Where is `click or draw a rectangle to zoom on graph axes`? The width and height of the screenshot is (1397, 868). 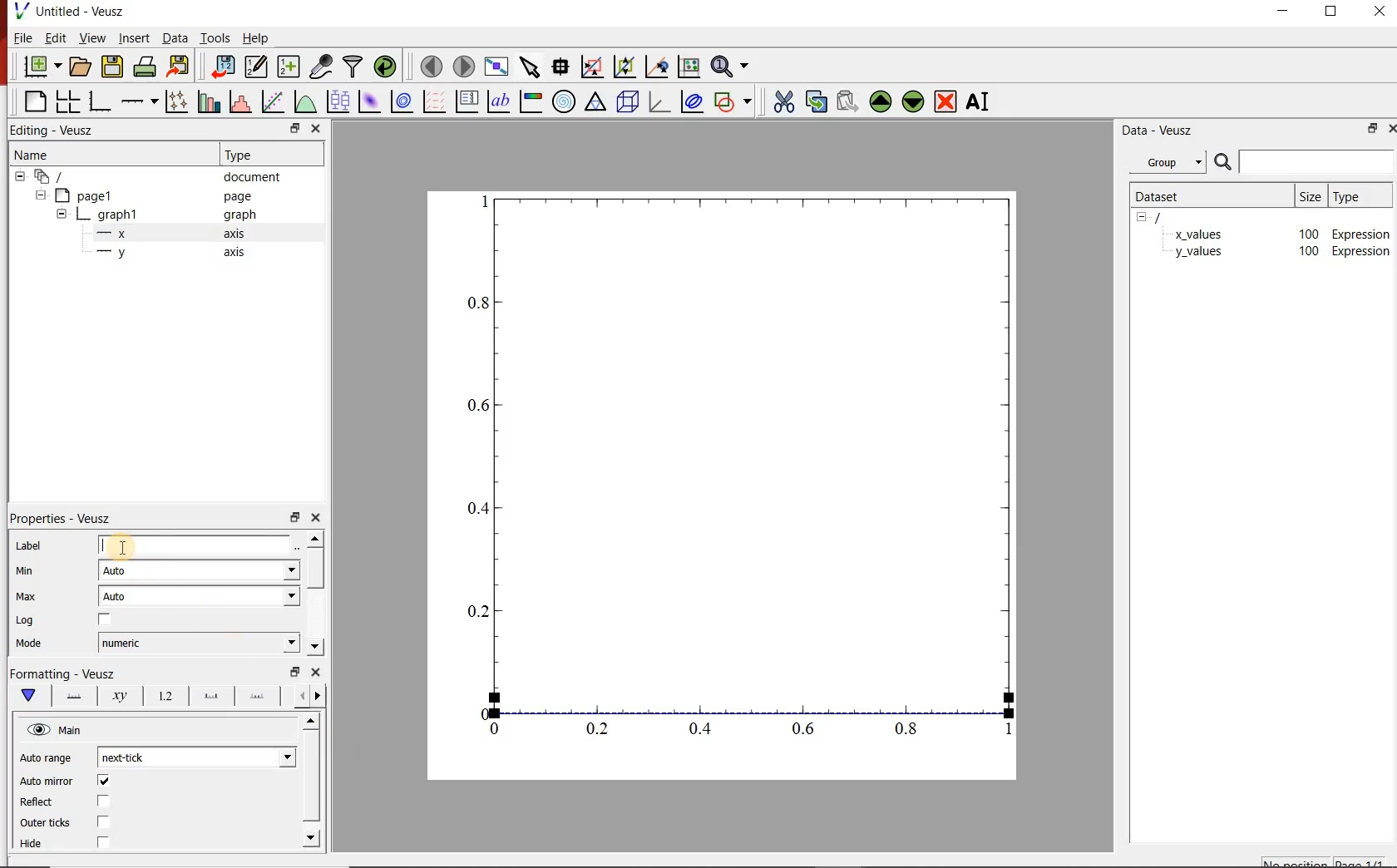 click or draw a rectangle to zoom on graph axes is located at coordinates (592, 67).